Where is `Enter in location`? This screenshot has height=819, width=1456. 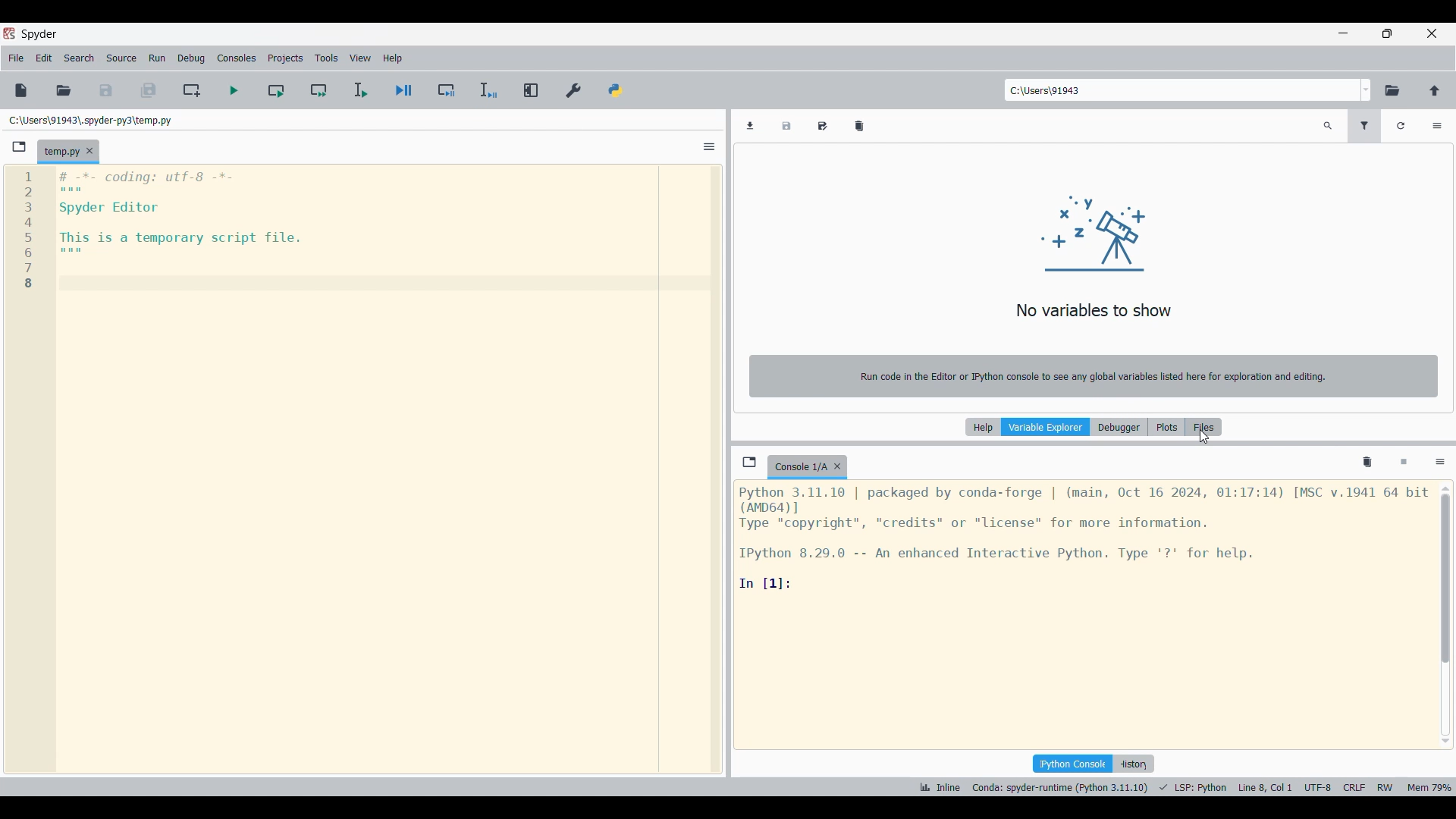
Enter in location is located at coordinates (1181, 90).